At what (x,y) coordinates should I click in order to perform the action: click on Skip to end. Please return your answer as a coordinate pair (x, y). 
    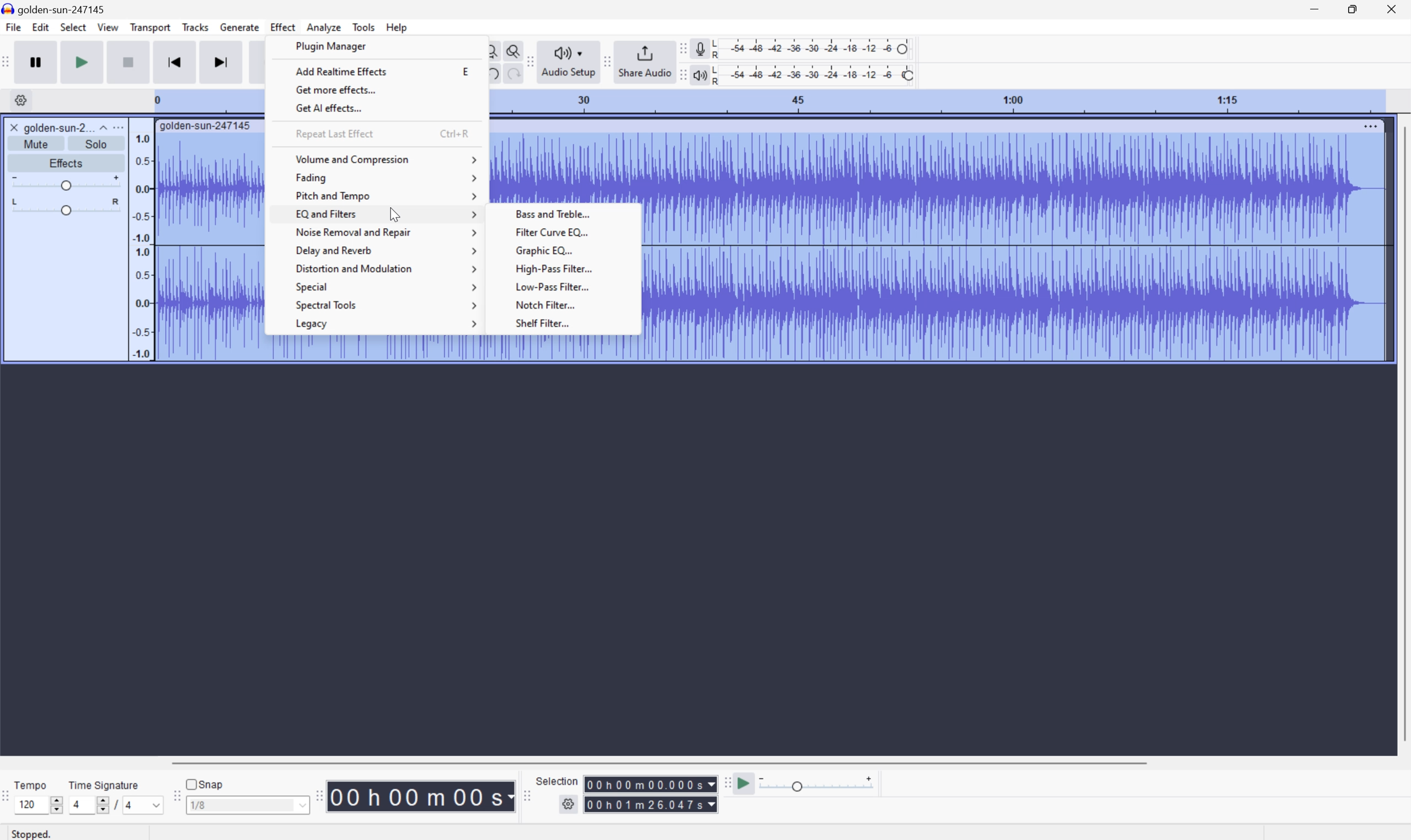
    Looking at the image, I should click on (222, 61).